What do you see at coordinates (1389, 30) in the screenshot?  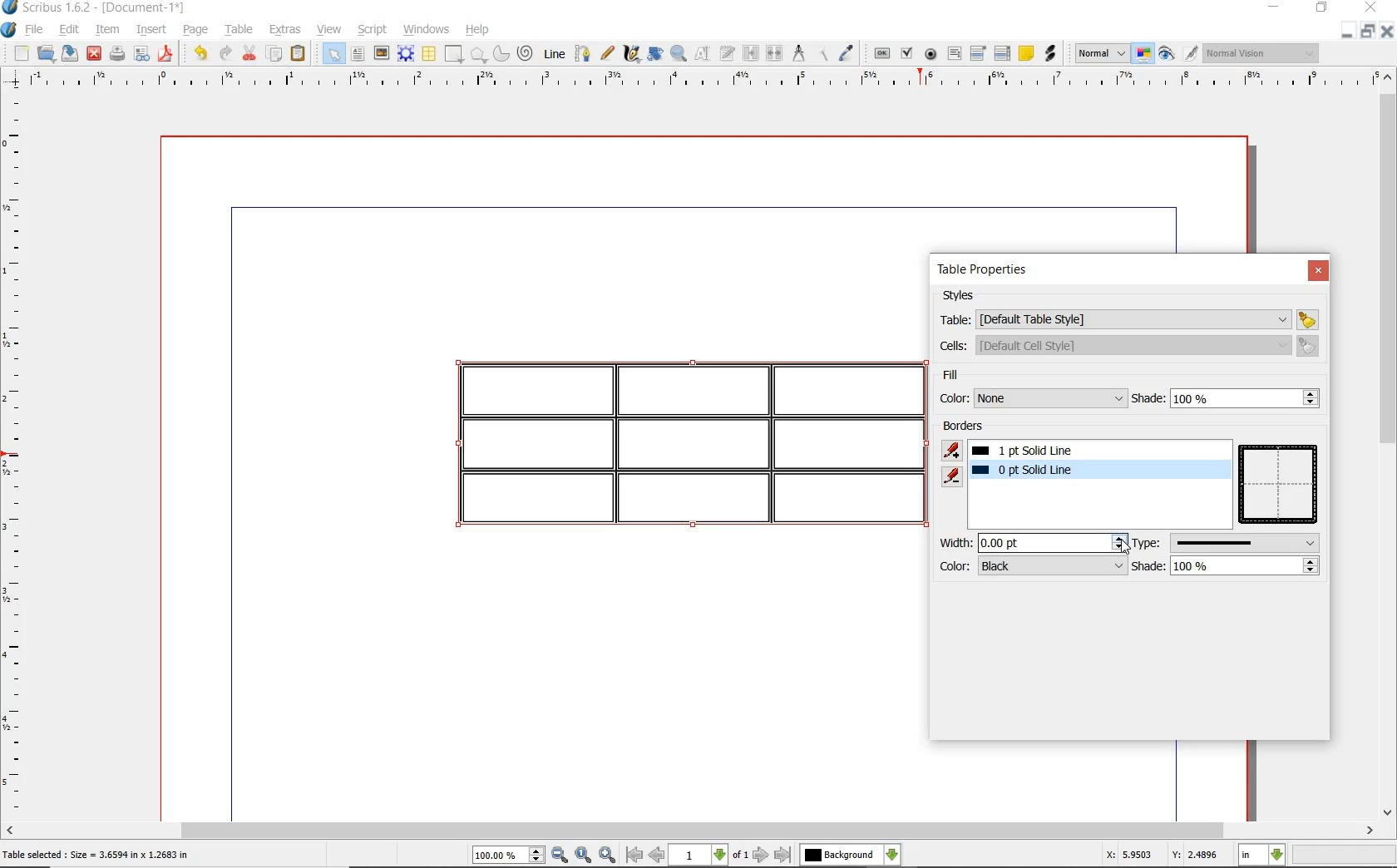 I see `CLOSE` at bounding box center [1389, 30].